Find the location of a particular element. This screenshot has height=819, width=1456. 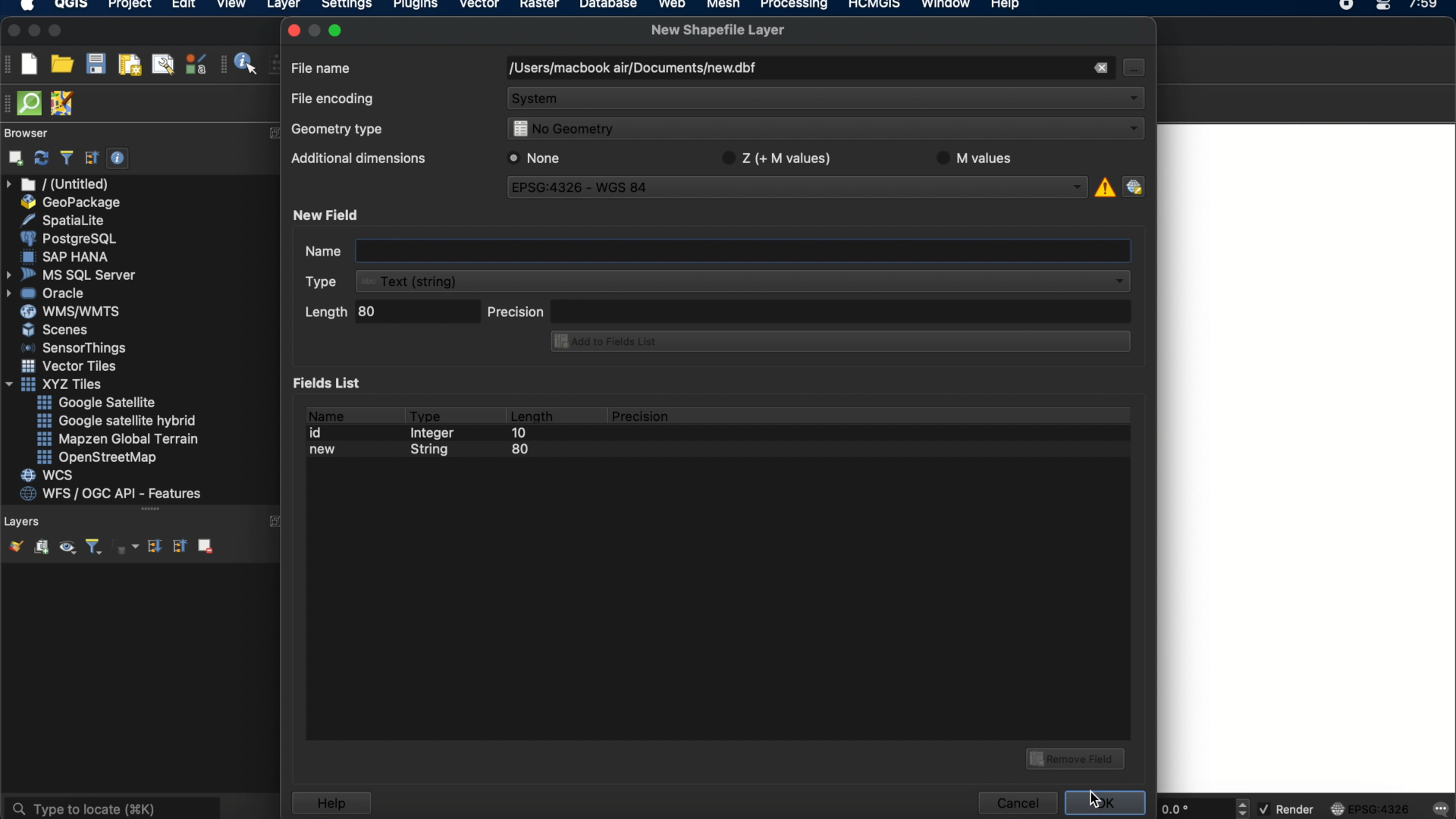

google satellite hybrid is located at coordinates (118, 421).